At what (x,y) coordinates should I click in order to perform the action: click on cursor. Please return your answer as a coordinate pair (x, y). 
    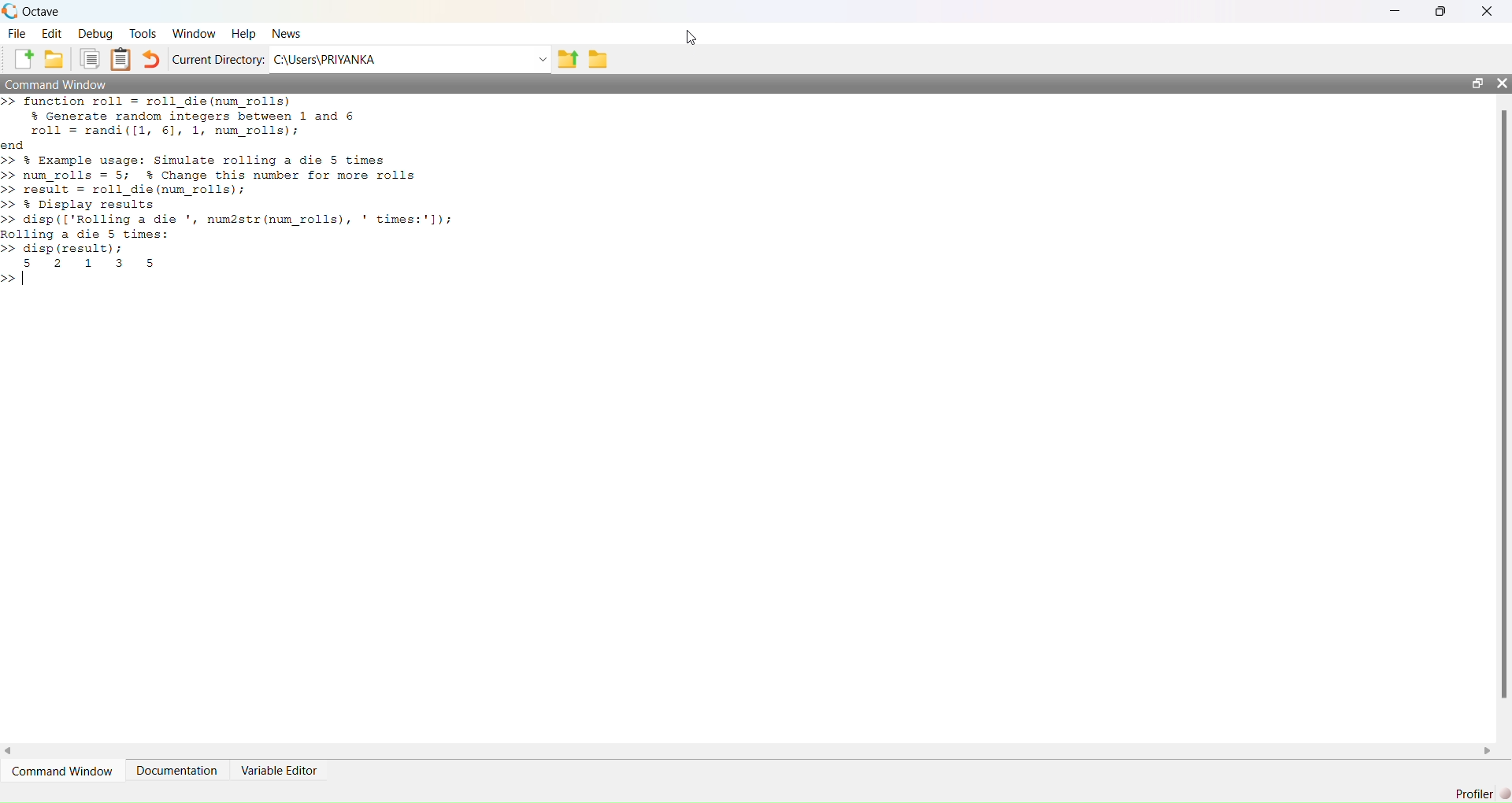
    Looking at the image, I should click on (691, 38).